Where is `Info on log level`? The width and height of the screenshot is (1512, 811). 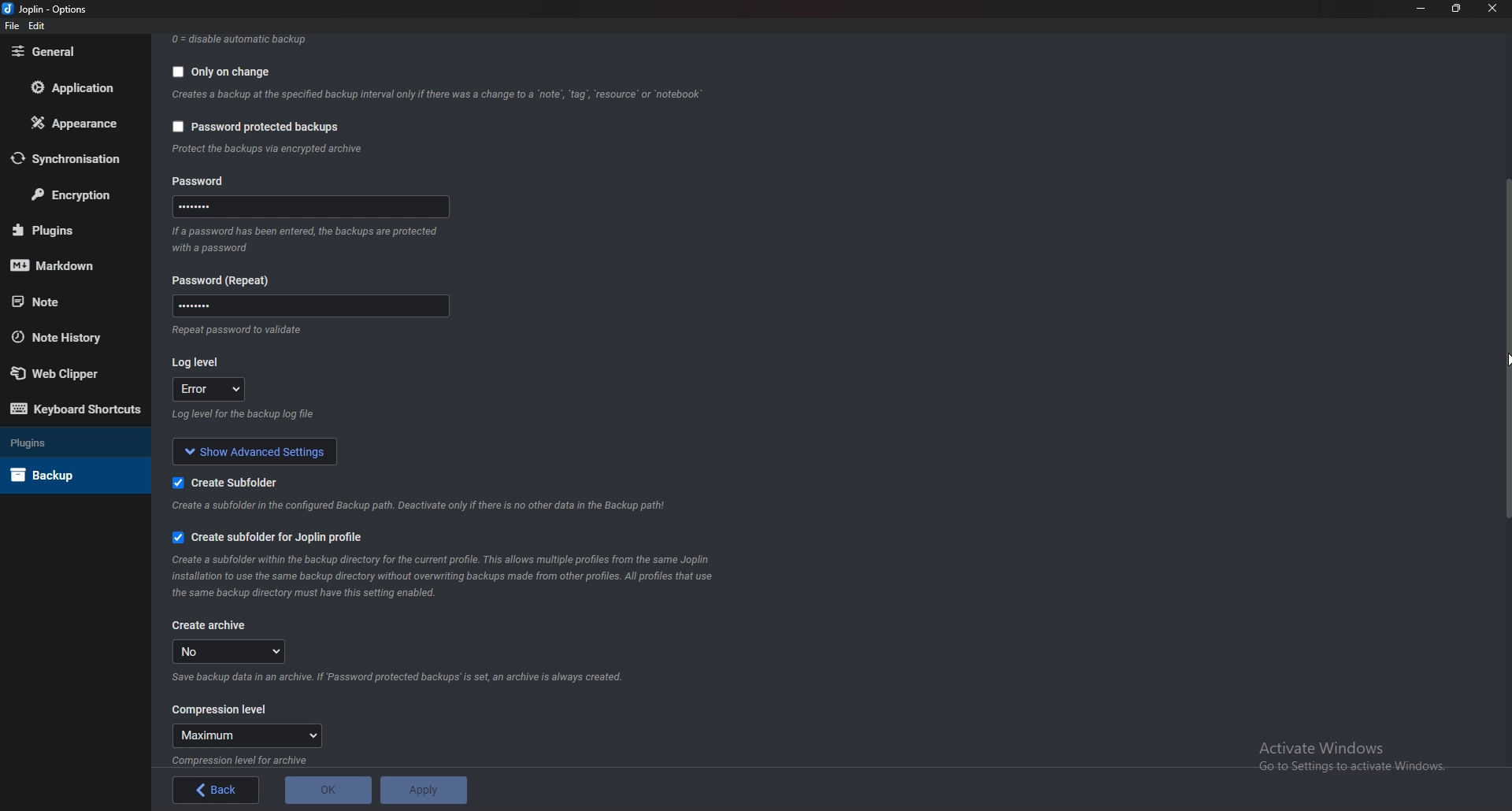
Info on log level is located at coordinates (244, 414).